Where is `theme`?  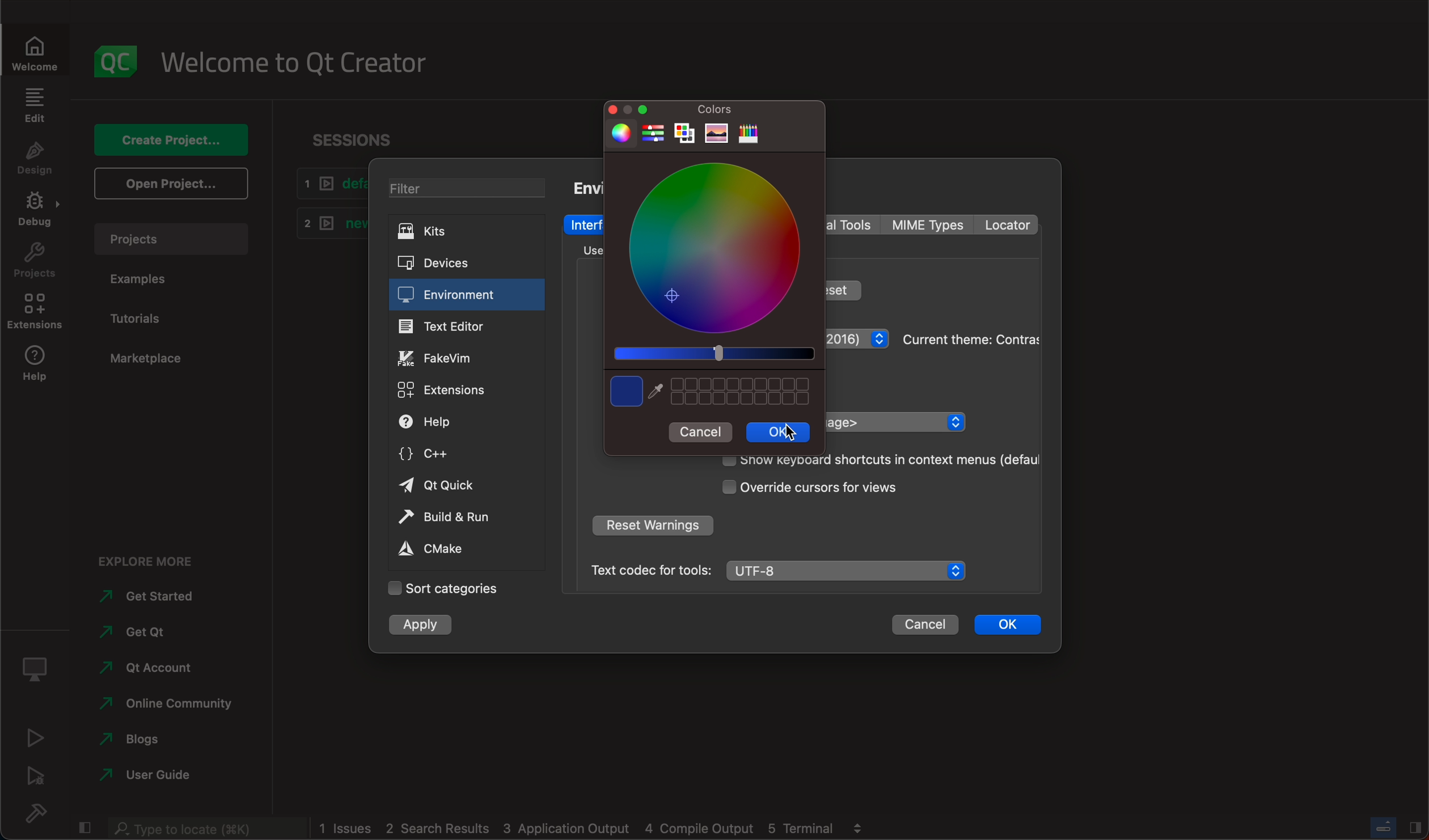 theme is located at coordinates (969, 338).